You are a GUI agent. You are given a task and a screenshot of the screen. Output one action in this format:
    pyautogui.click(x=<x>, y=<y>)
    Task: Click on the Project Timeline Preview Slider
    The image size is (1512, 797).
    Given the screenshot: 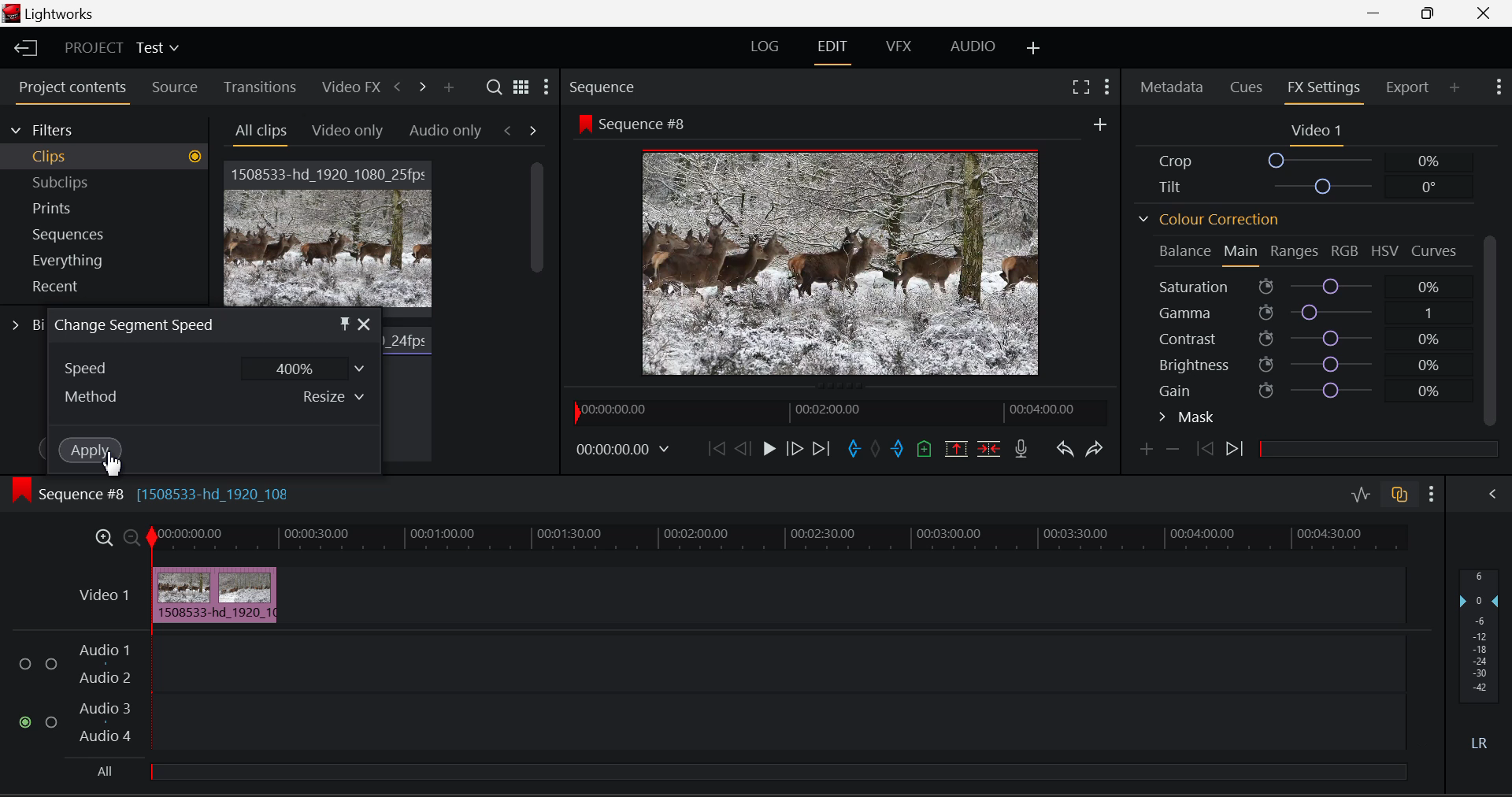 What is the action you would take?
    pyautogui.click(x=832, y=410)
    